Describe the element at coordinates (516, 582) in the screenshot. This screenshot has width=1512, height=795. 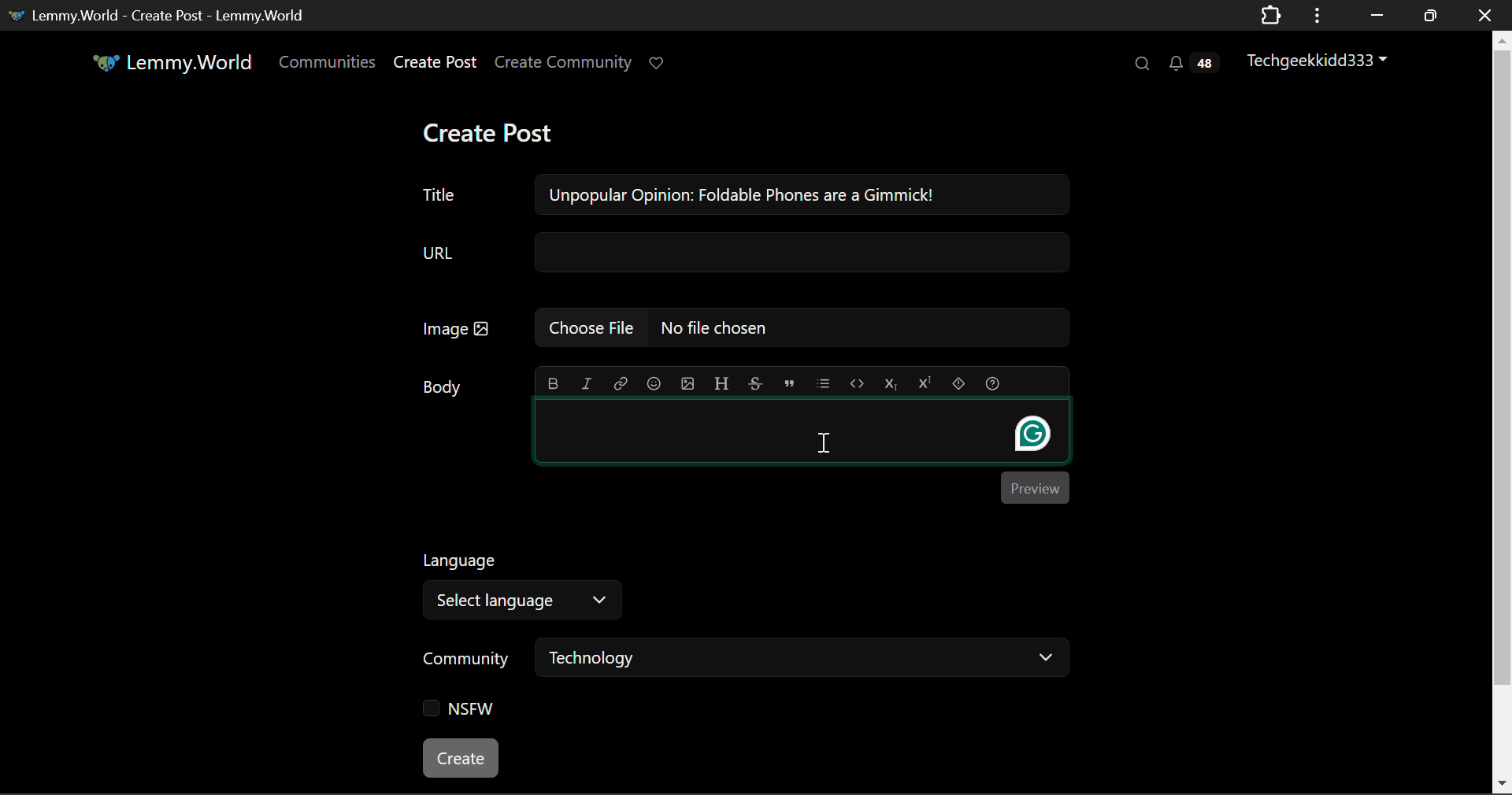
I see `Select Post Language` at that location.